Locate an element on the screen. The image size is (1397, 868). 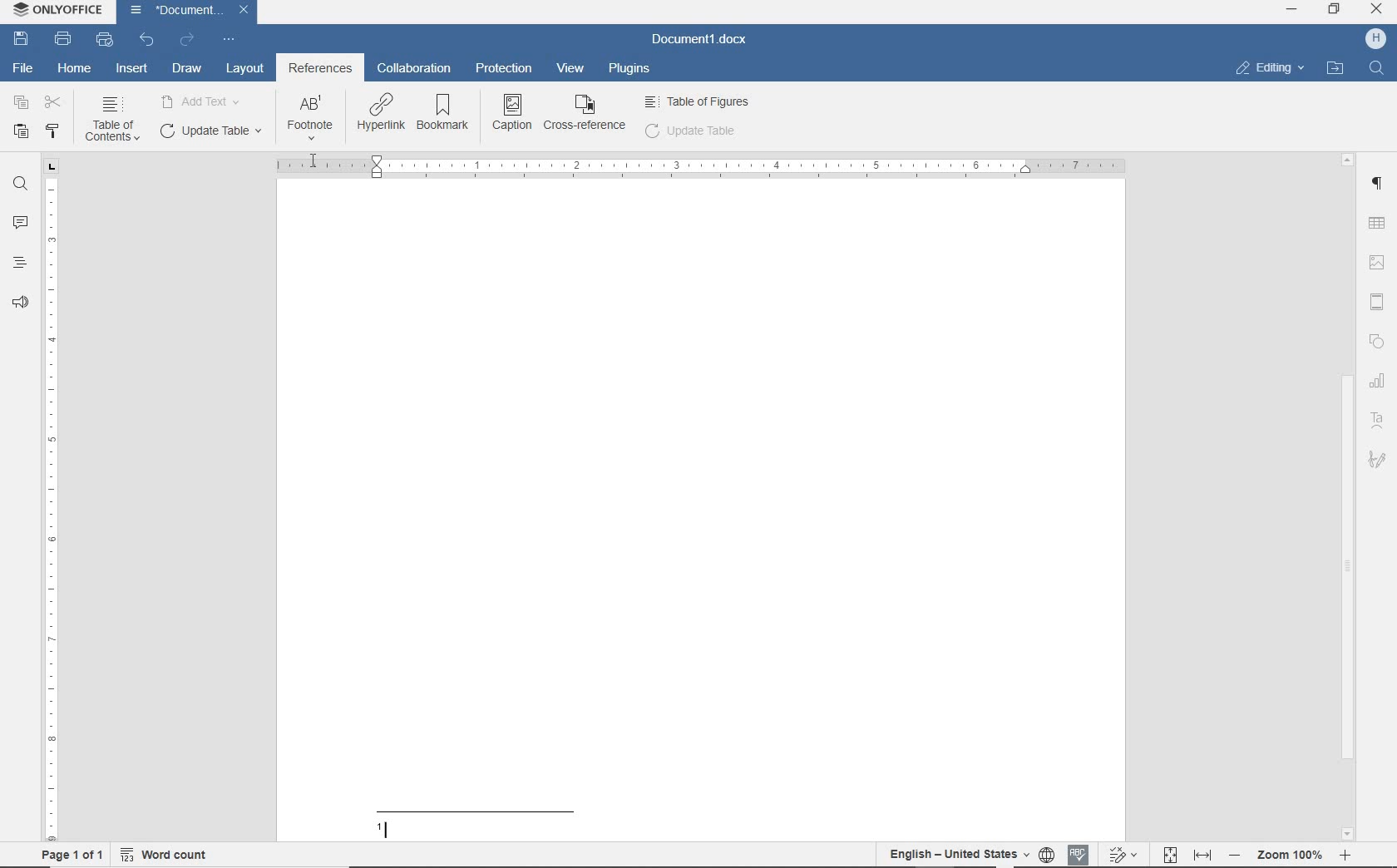
track changes is located at coordinates (1123, 854).